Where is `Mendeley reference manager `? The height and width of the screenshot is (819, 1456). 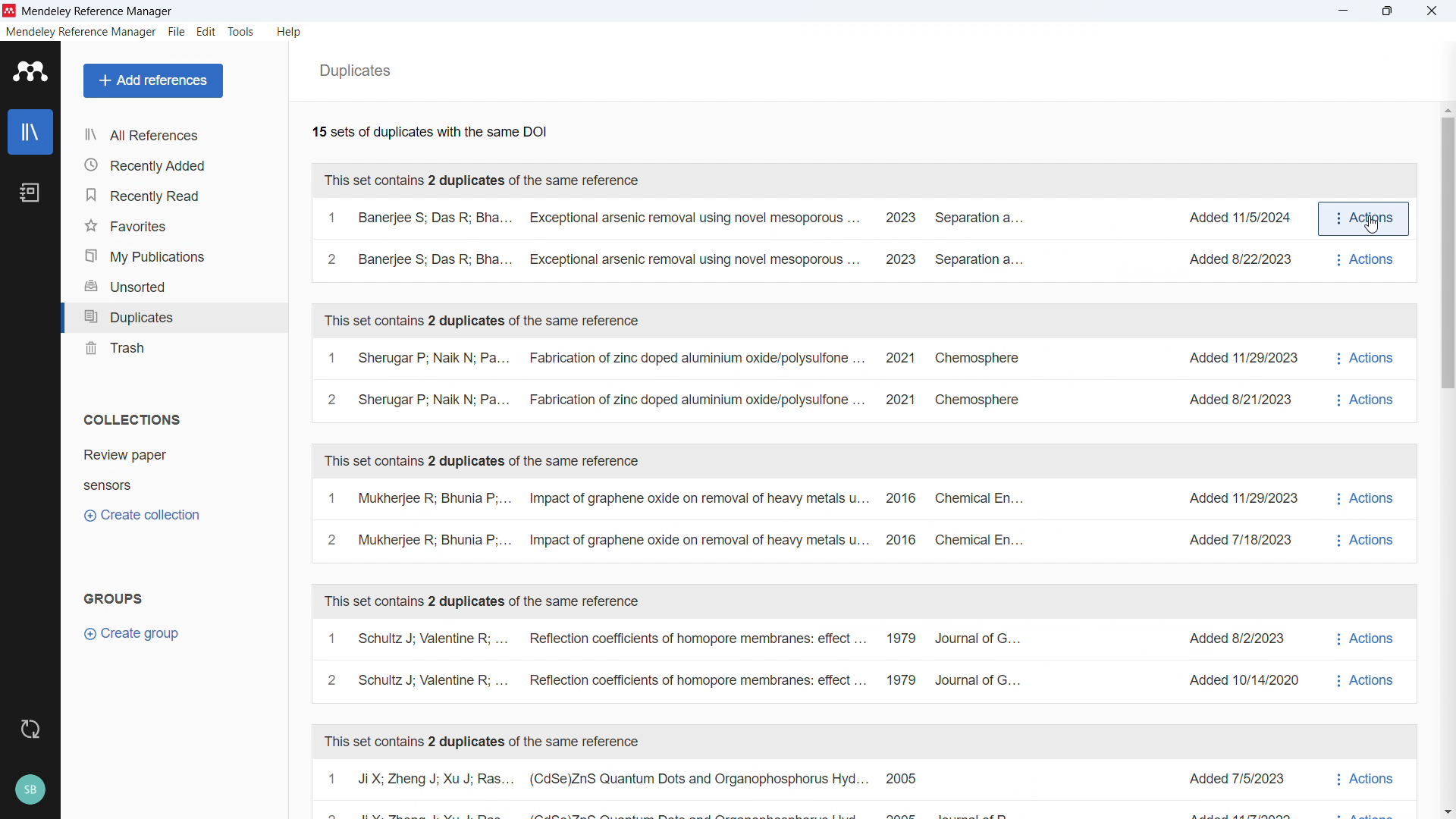 Mendeley reference manager  is located at coordinates (83, 33).